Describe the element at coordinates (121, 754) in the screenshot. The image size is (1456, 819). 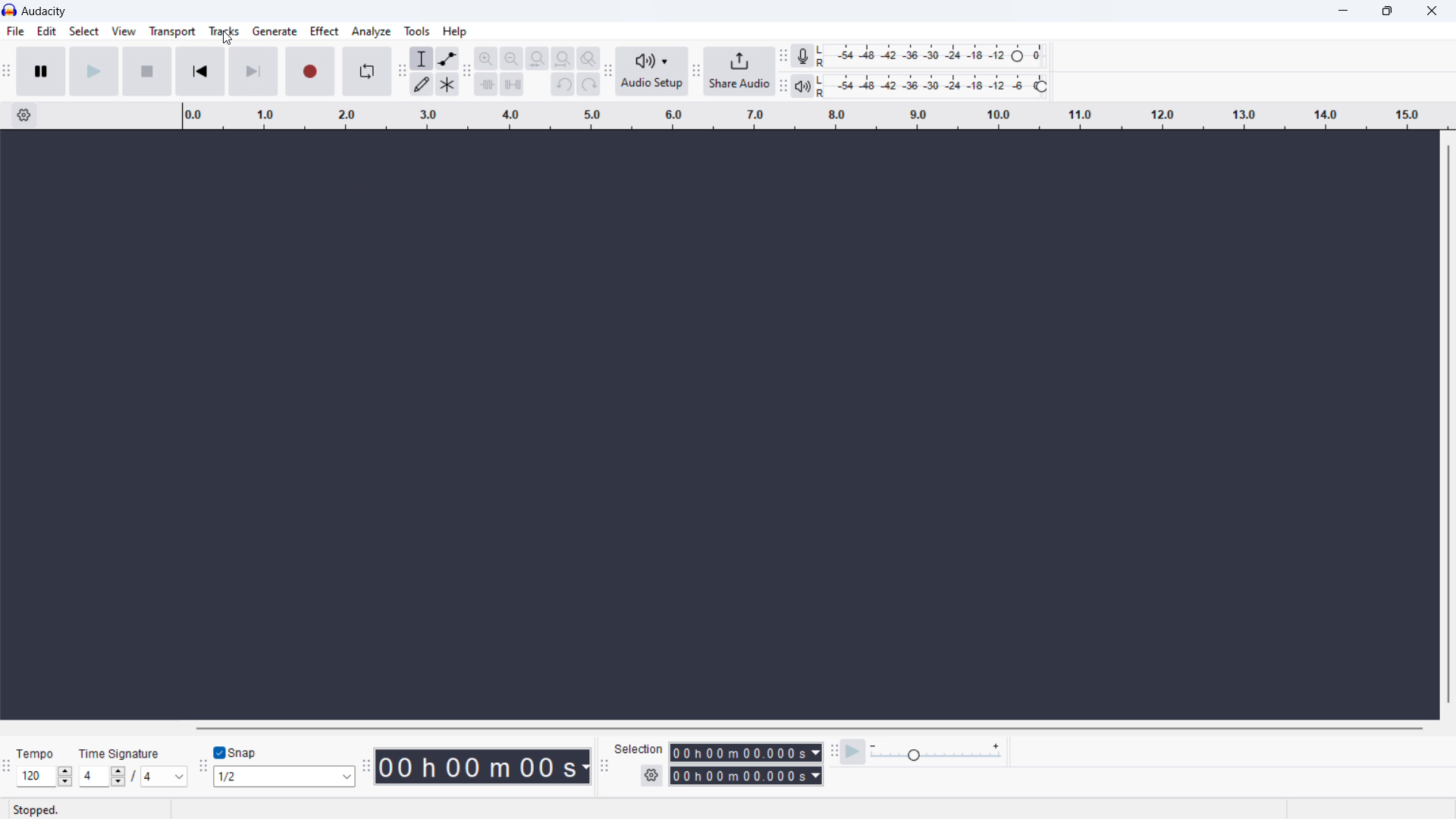
I see `Time Signatures` at that location.